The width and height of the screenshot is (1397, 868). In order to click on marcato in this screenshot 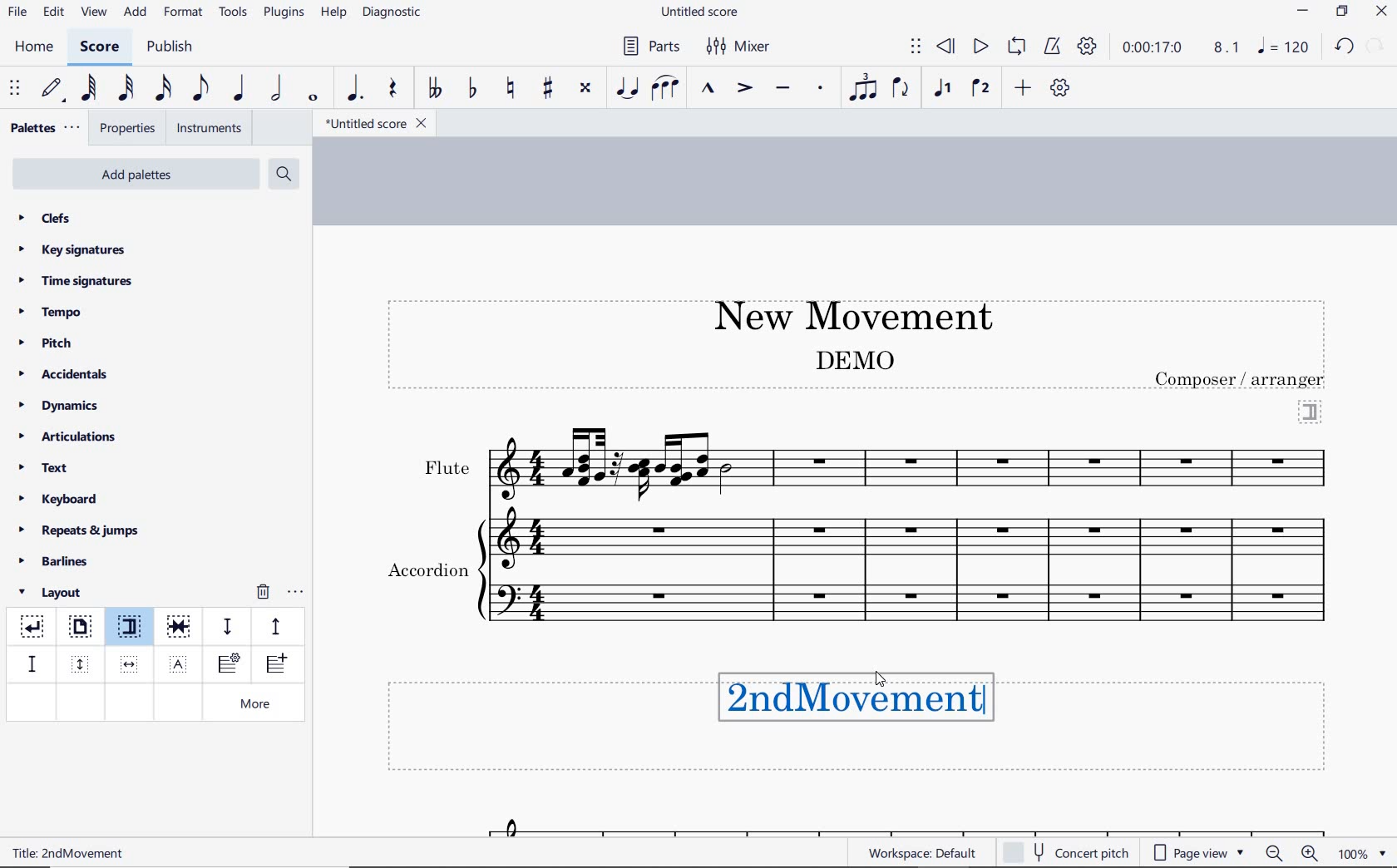, I will do `click(710, 90)`.